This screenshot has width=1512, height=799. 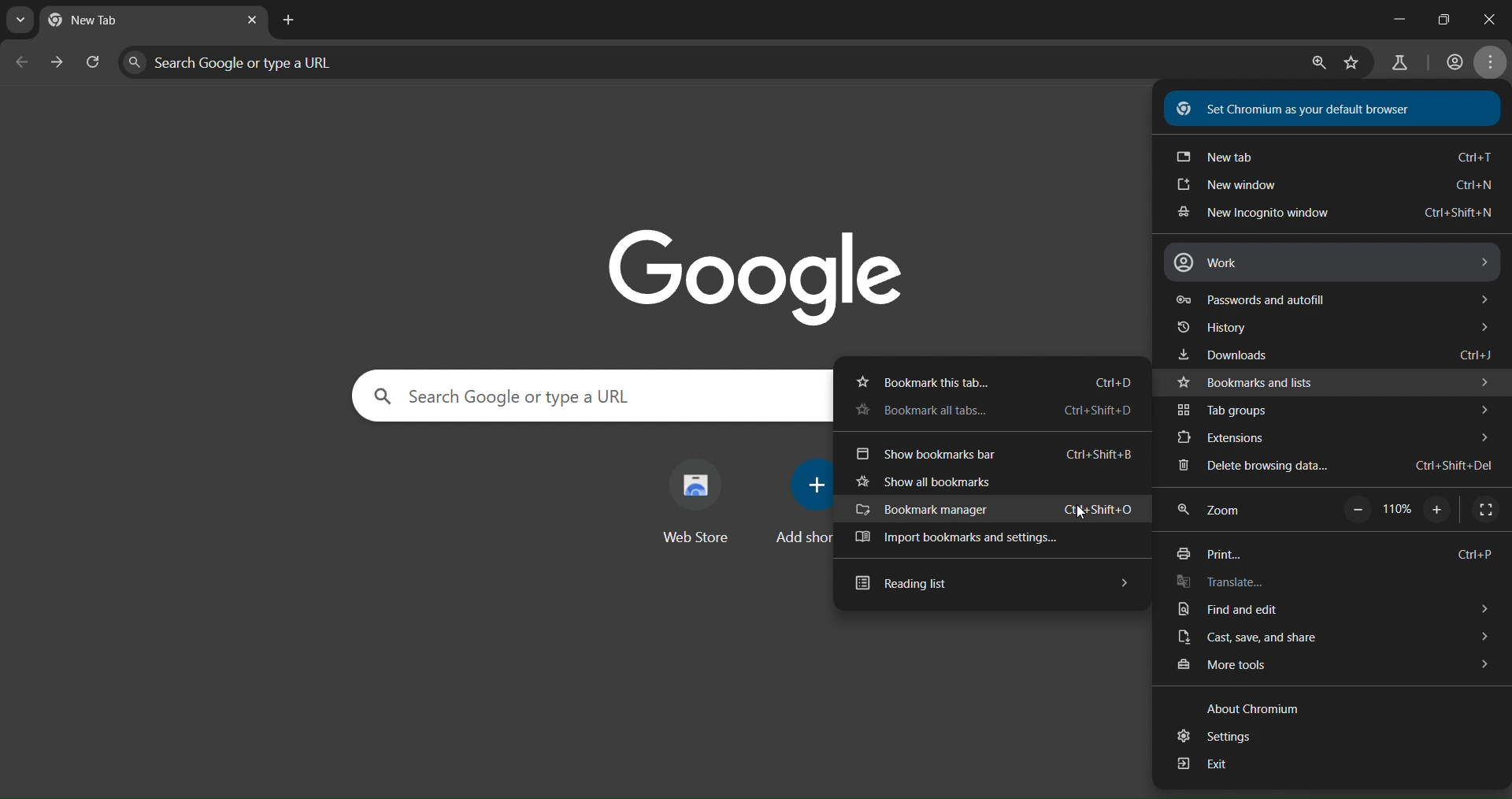 What do you see at coordinates (1317, 65) in the screenshot?
I see `zoom in` at bounding box center [1317, 65].